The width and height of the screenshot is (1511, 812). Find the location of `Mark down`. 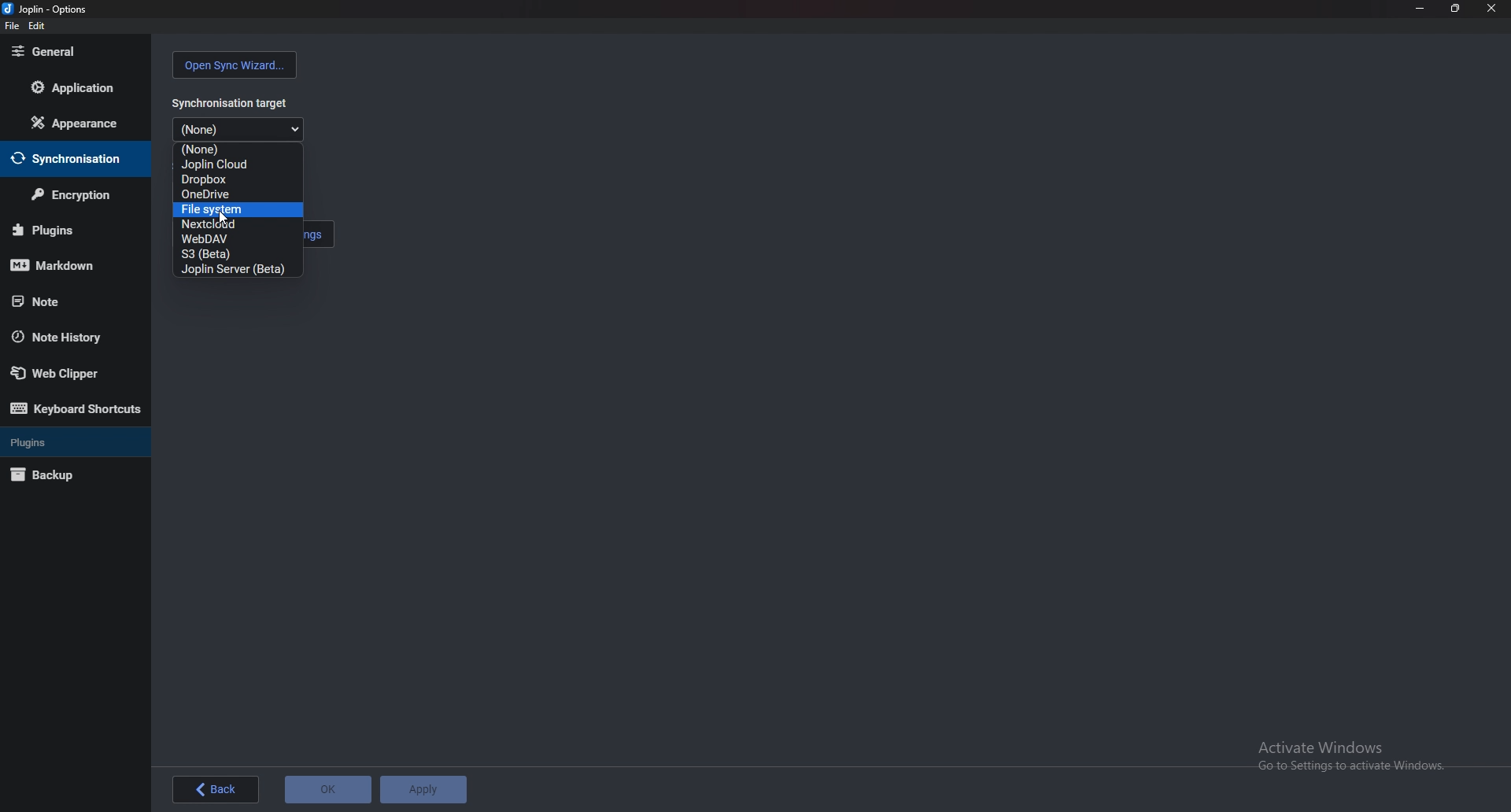

Mark down is located at coordinates (71, 264).